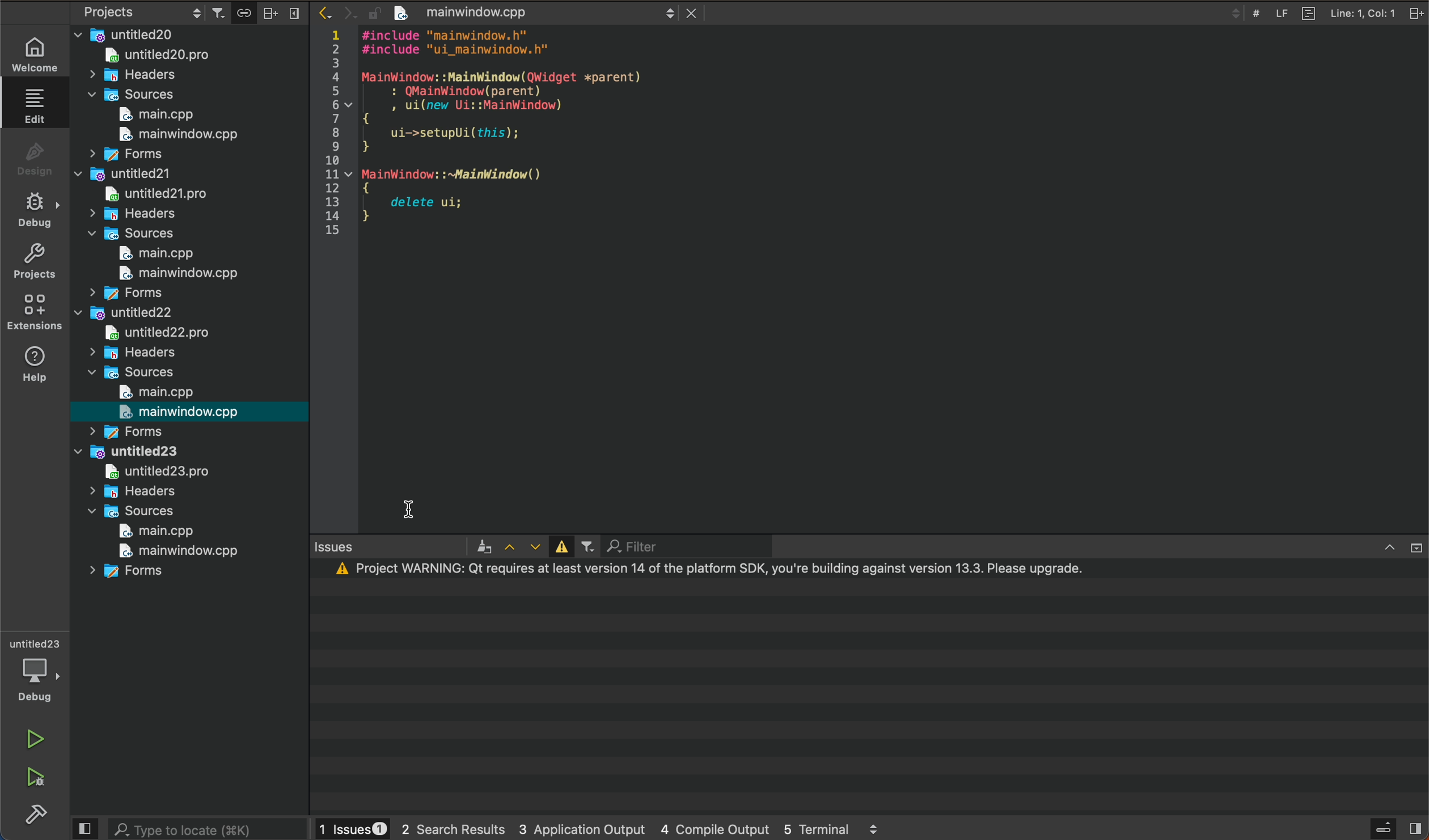  Describe the element at coordinates (124, 154) in the screenshot. I see `forms` at that location.